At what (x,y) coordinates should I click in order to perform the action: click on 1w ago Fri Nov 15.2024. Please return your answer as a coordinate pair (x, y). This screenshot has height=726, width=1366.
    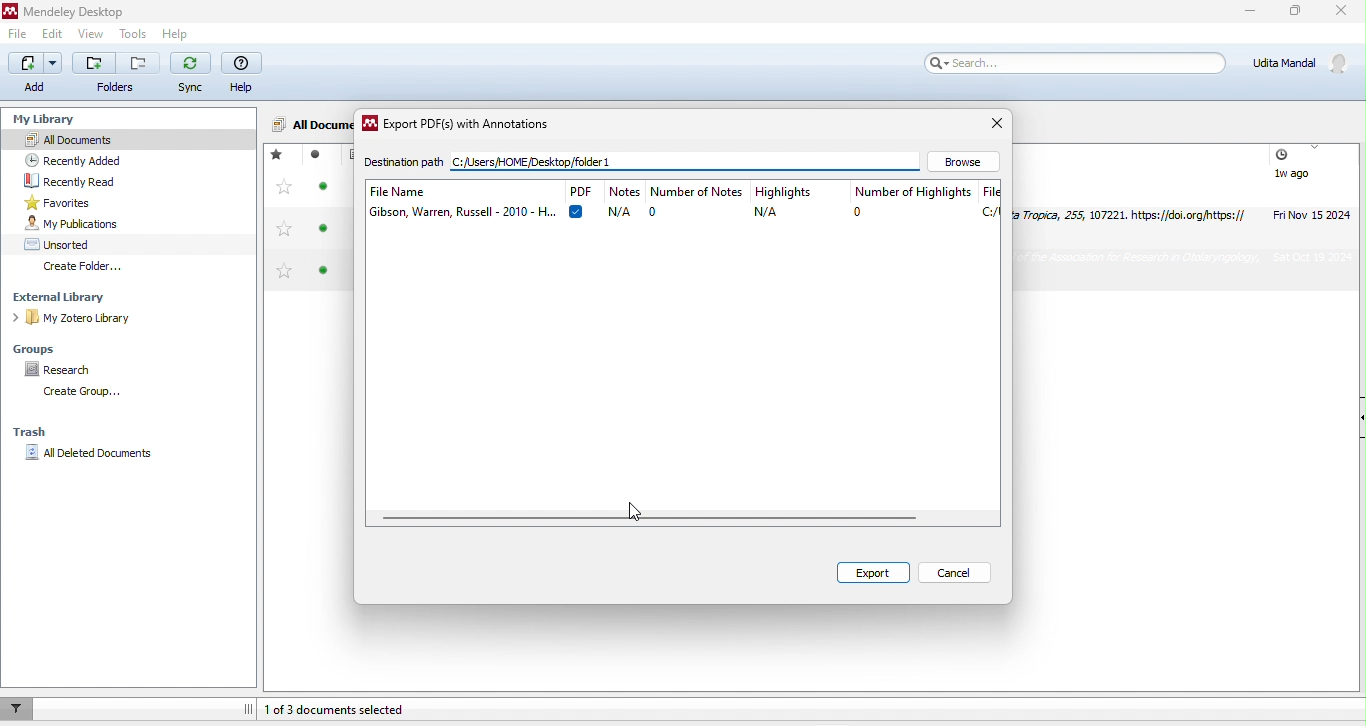
    Looking at the image, I should click on (1311, 184).